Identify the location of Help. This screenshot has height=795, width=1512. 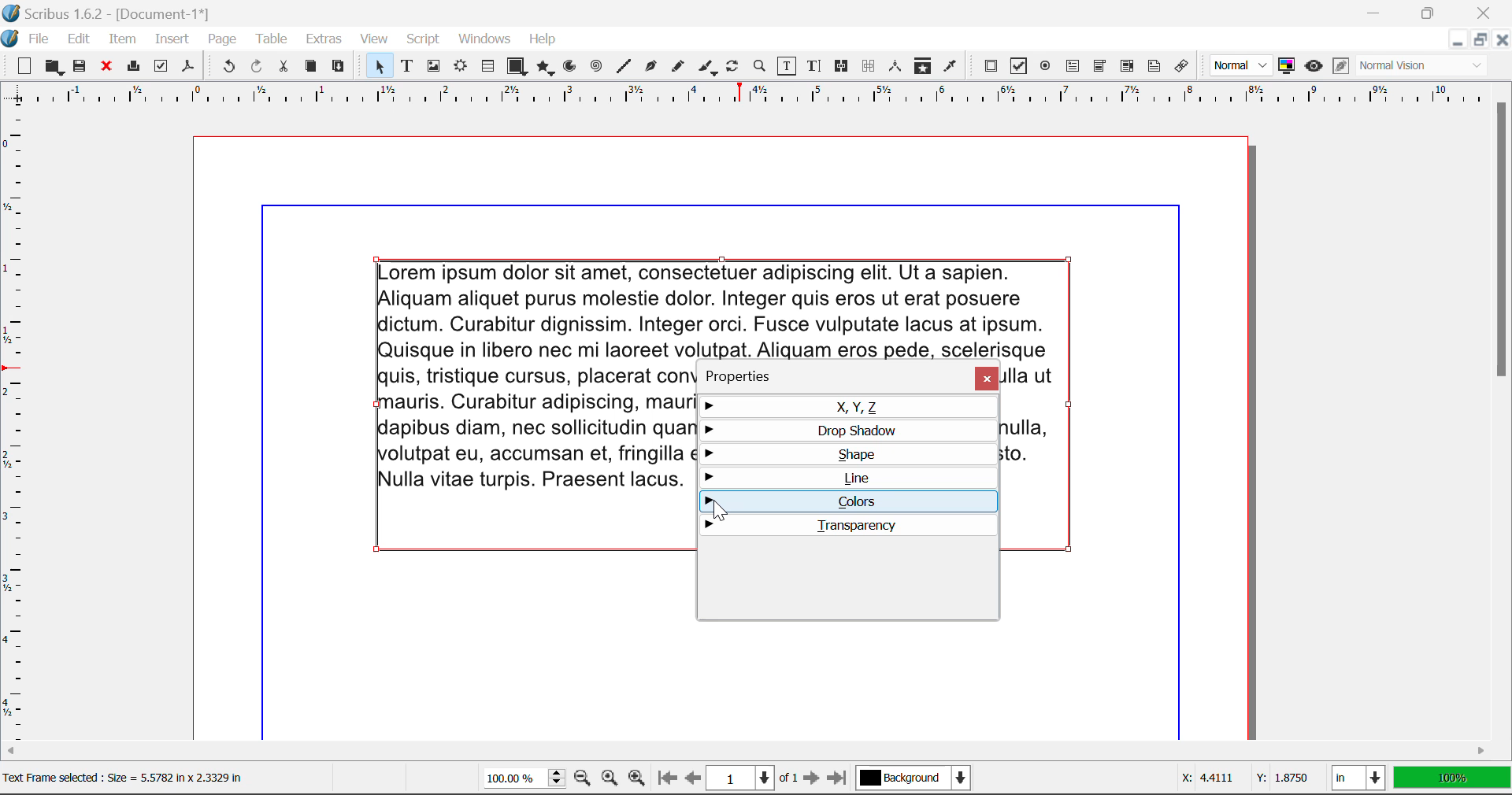
(543, 39).